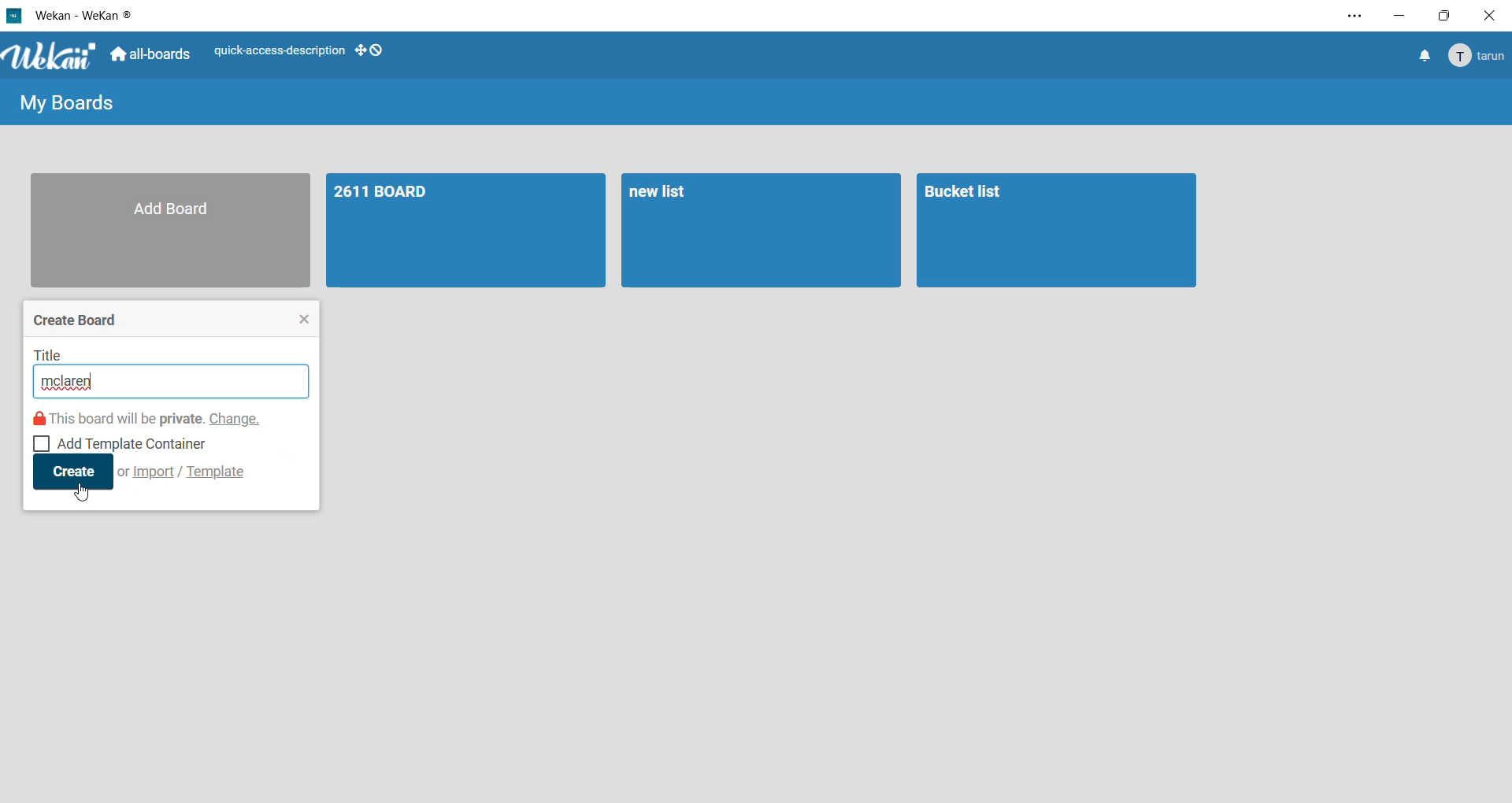 Image resolution: width=1512 pixels, height=803 pixels. I want to click on quick access description, so click(278, 54).